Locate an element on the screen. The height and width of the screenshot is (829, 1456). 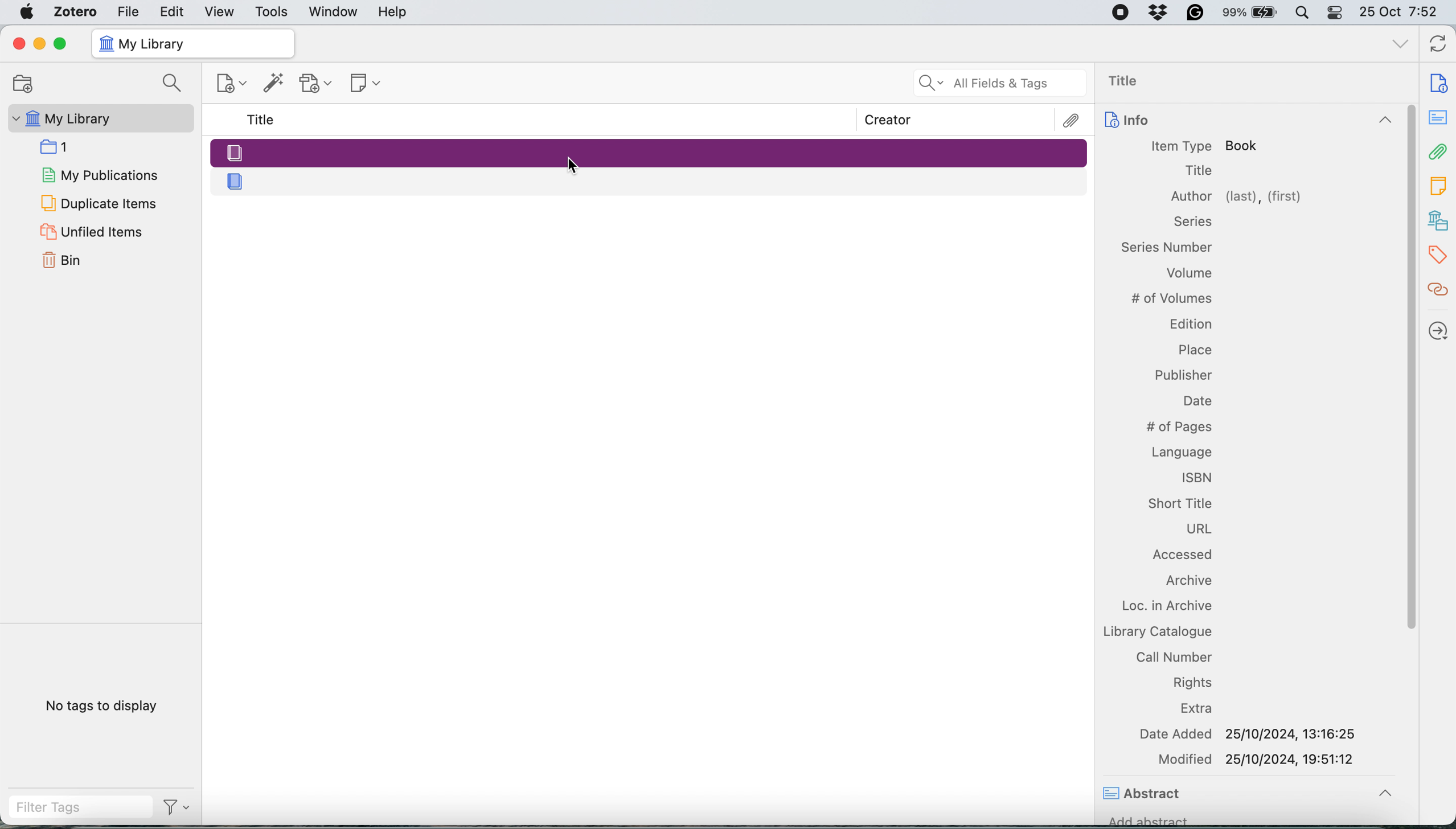
99% Battery is located at coordinates (1250, 13).